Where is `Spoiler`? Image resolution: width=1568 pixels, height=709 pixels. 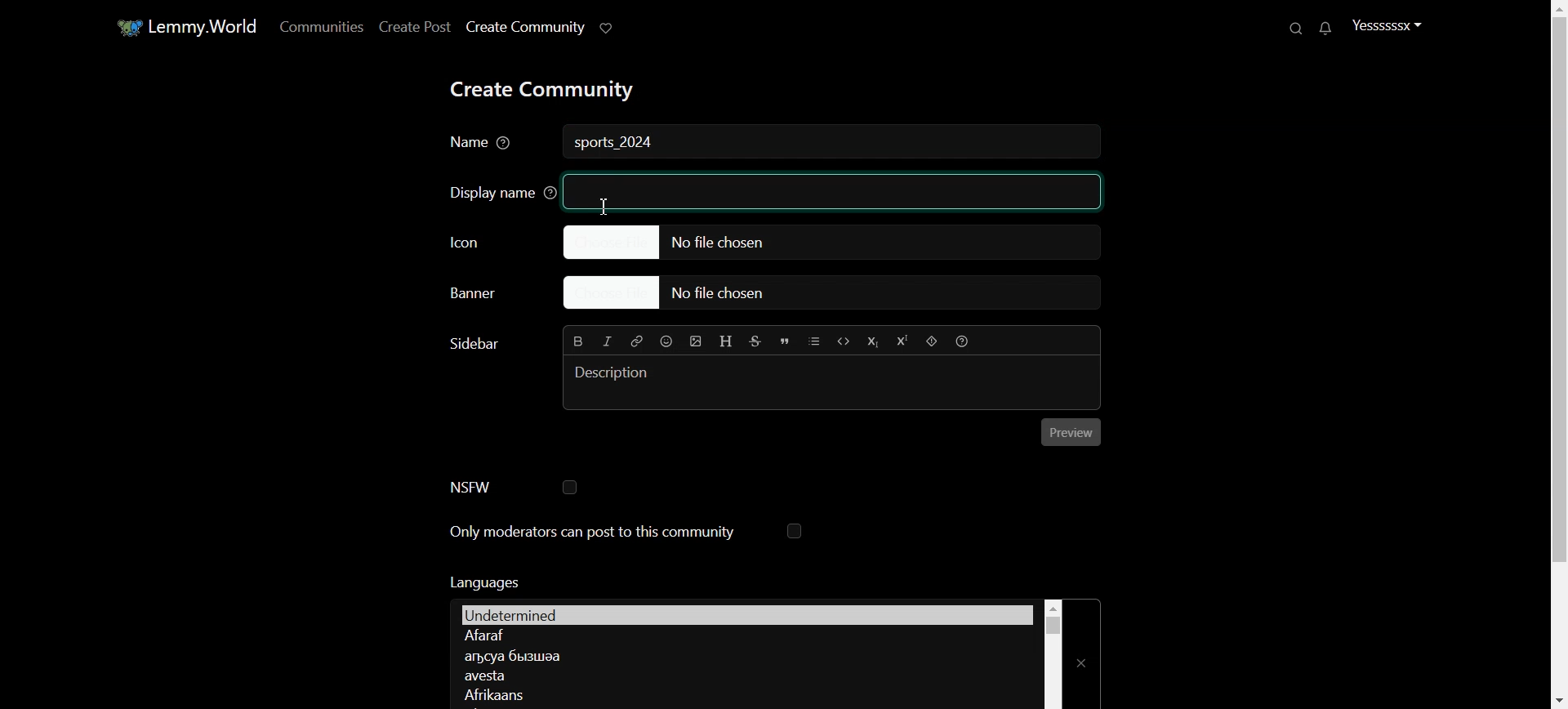 Spoiler is located at coordinates (932, 341).